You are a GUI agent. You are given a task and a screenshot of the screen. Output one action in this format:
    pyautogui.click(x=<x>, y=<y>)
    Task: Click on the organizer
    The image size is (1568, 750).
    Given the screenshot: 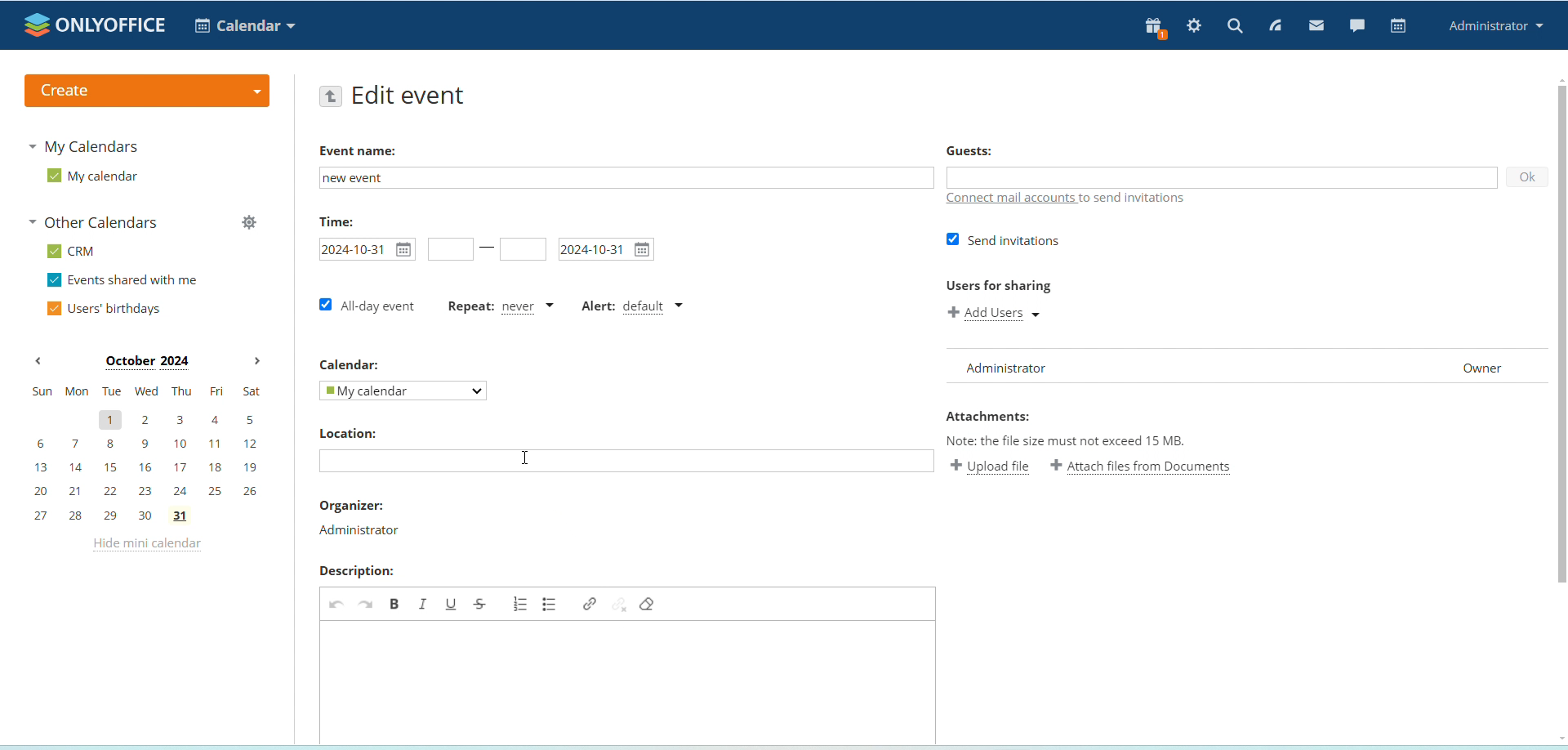 What is the action you would take?
    pyautogui.click(x=360, y=532)
    